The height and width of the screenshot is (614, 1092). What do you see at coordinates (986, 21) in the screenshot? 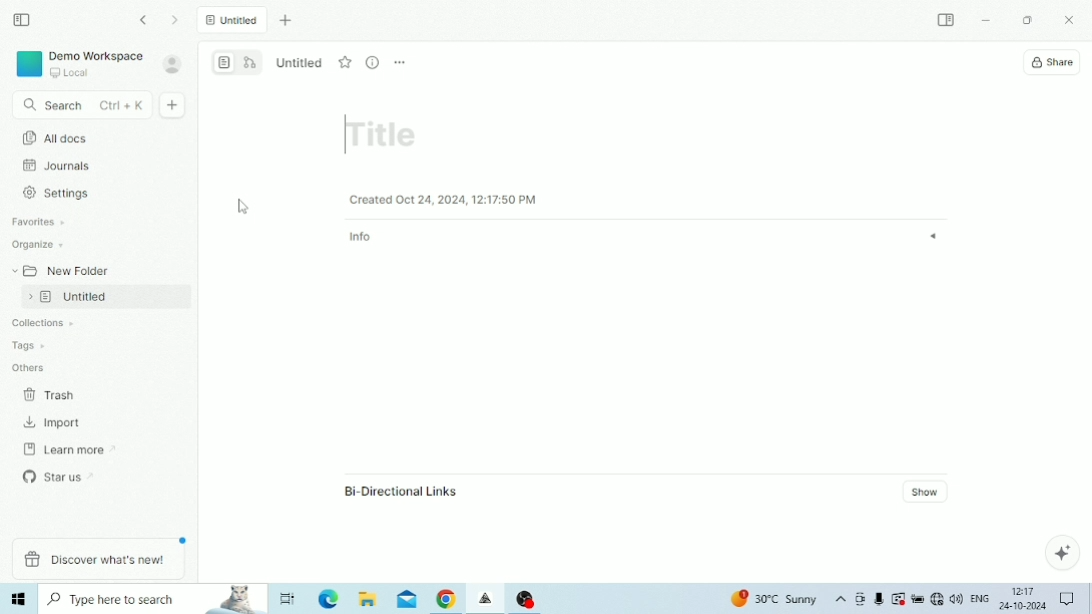
I see `Minimize` at bounding box center [986, 21].